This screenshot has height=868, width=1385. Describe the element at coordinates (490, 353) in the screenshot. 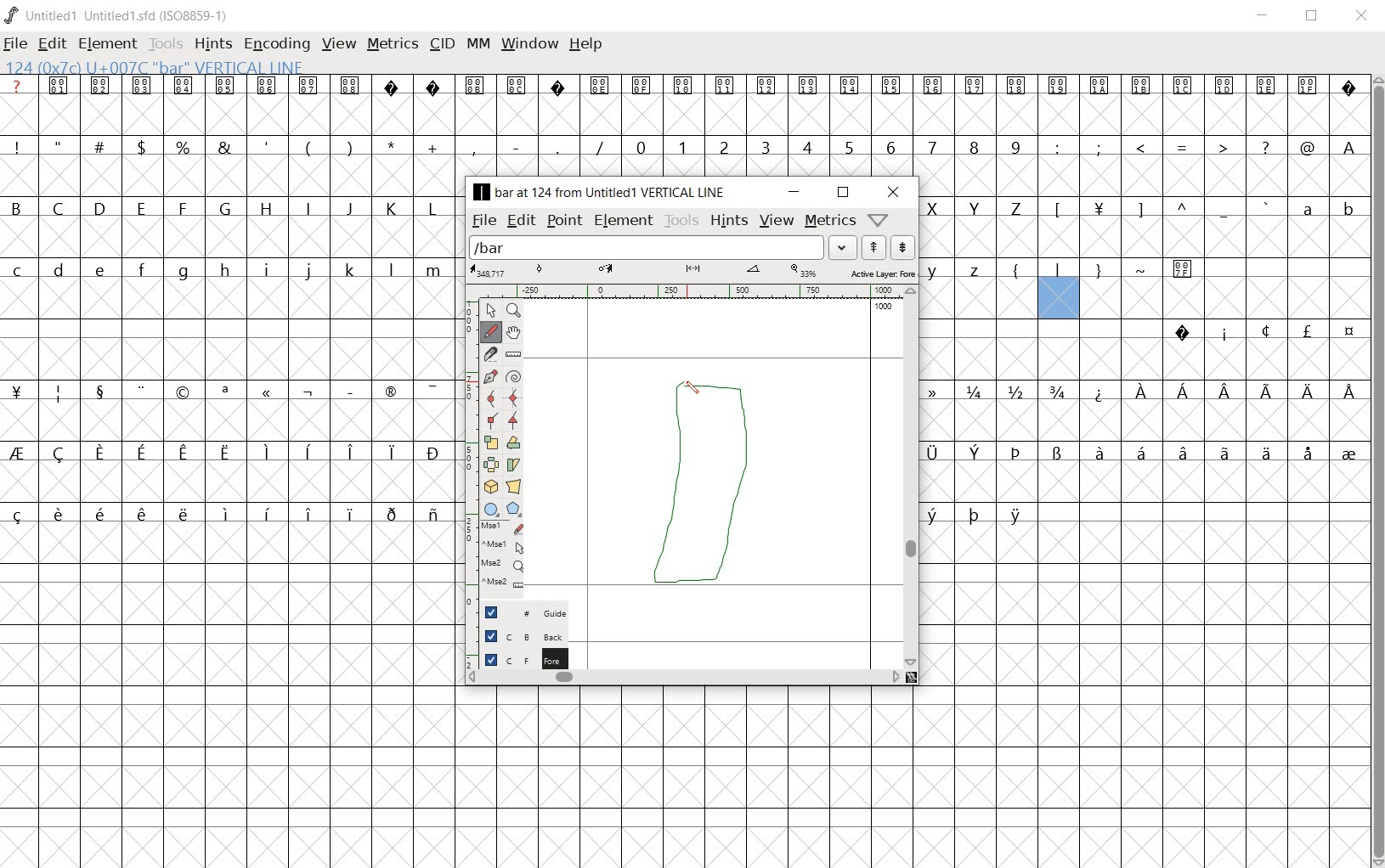

I see `cut splines in two` at that location.